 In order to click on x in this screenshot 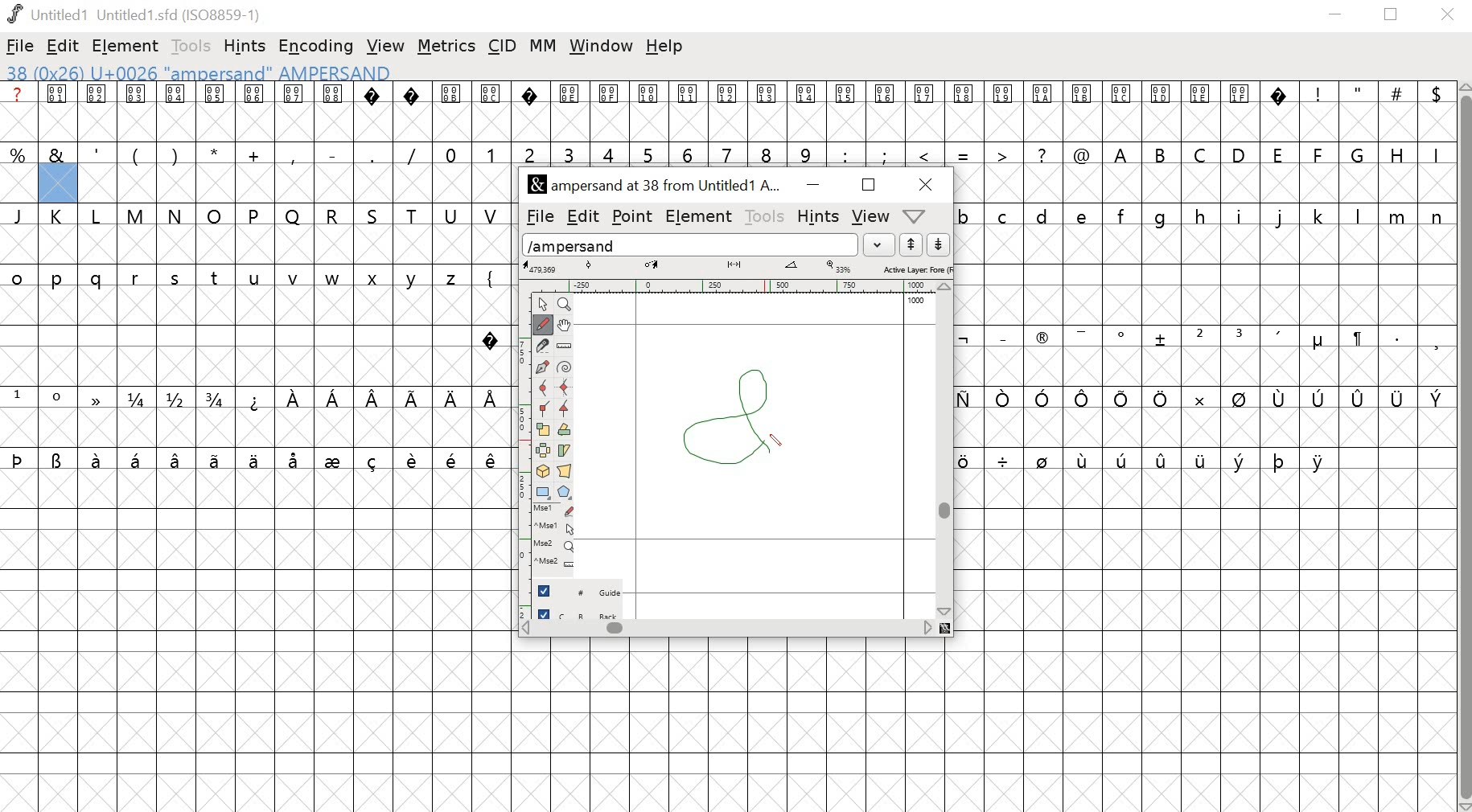, I will do `click(377, 279)`.